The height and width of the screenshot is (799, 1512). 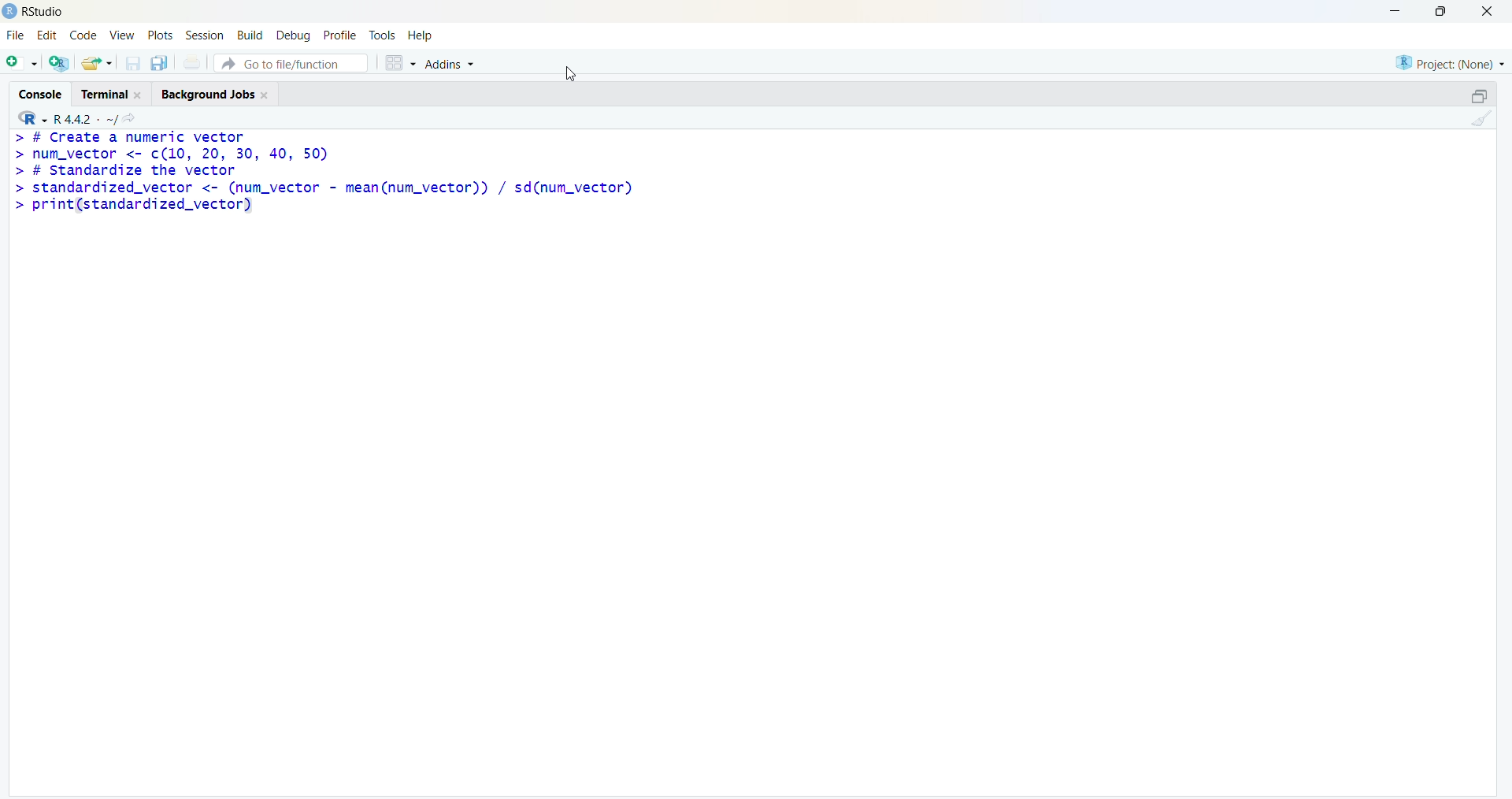 I want to click on go to file/function, so click(x=291, y=63).